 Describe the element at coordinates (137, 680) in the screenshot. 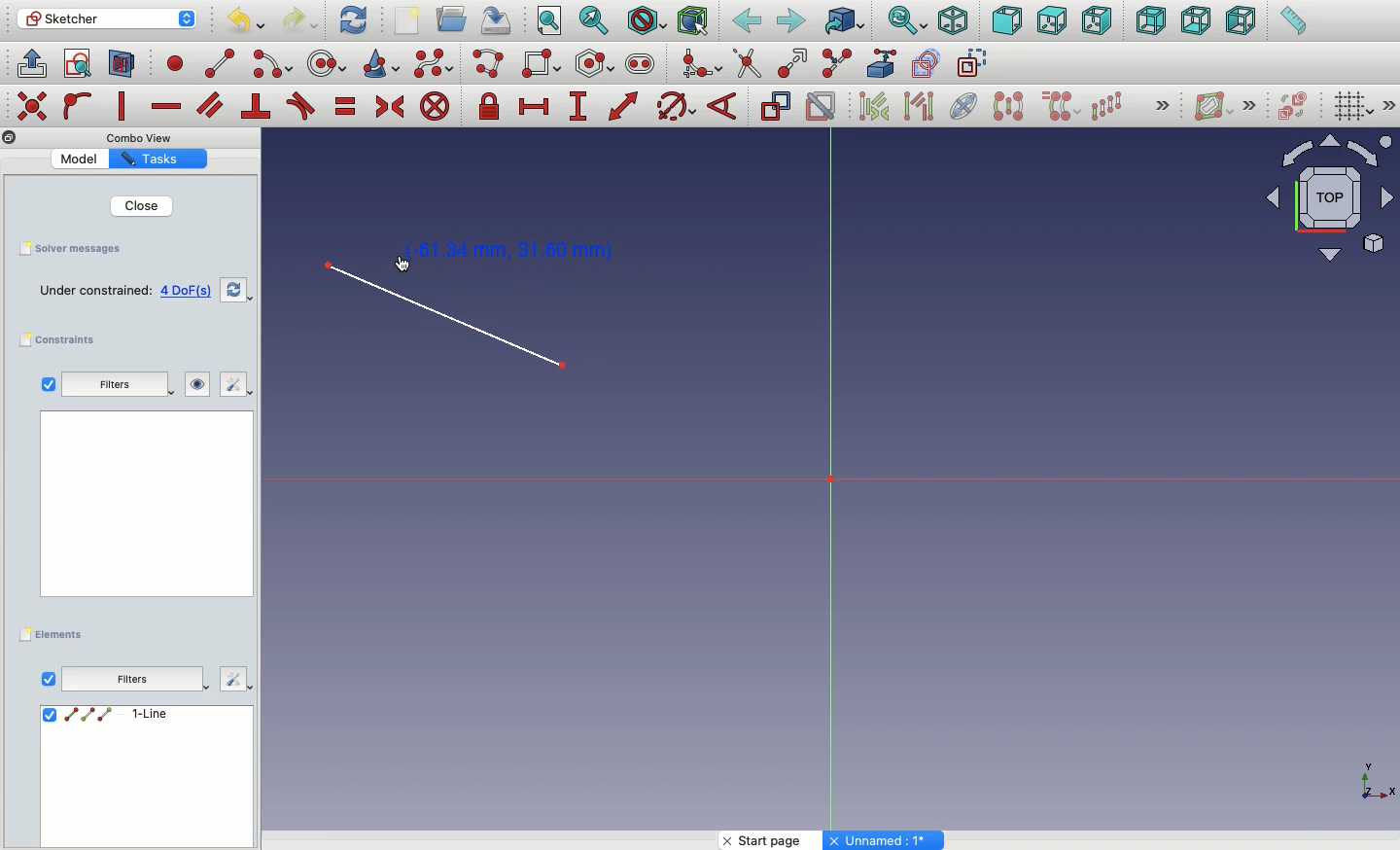

I see `` at that location.